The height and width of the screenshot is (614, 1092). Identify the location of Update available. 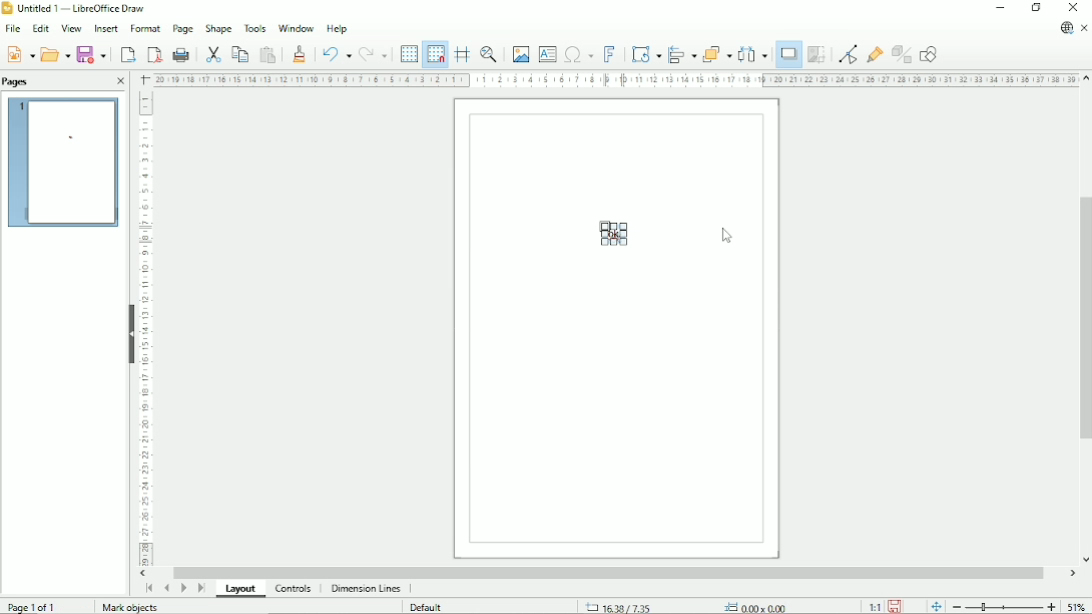
(1066, 27).